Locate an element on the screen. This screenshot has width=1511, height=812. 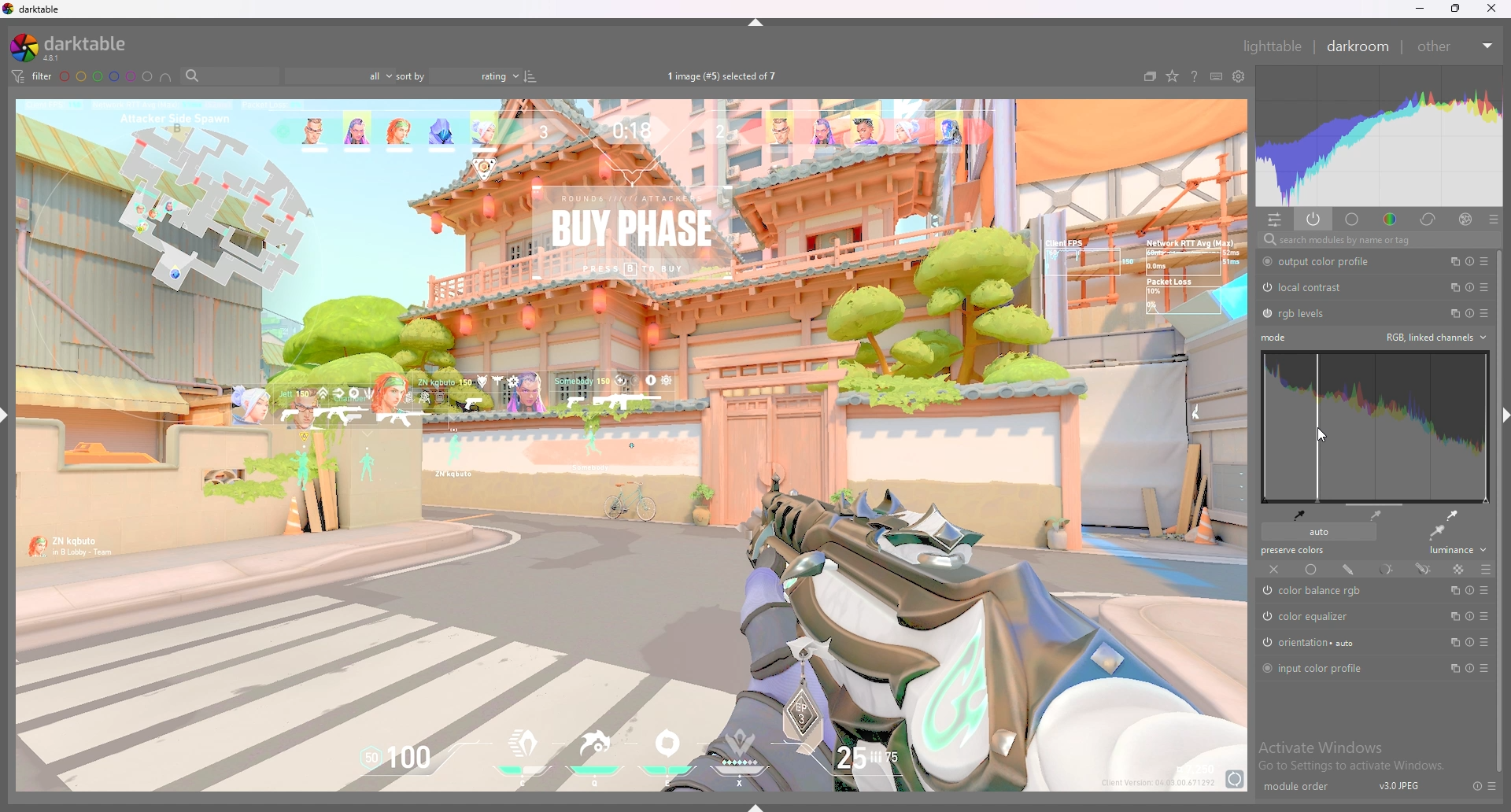
show active modules is located at coordinates (1313, 219).